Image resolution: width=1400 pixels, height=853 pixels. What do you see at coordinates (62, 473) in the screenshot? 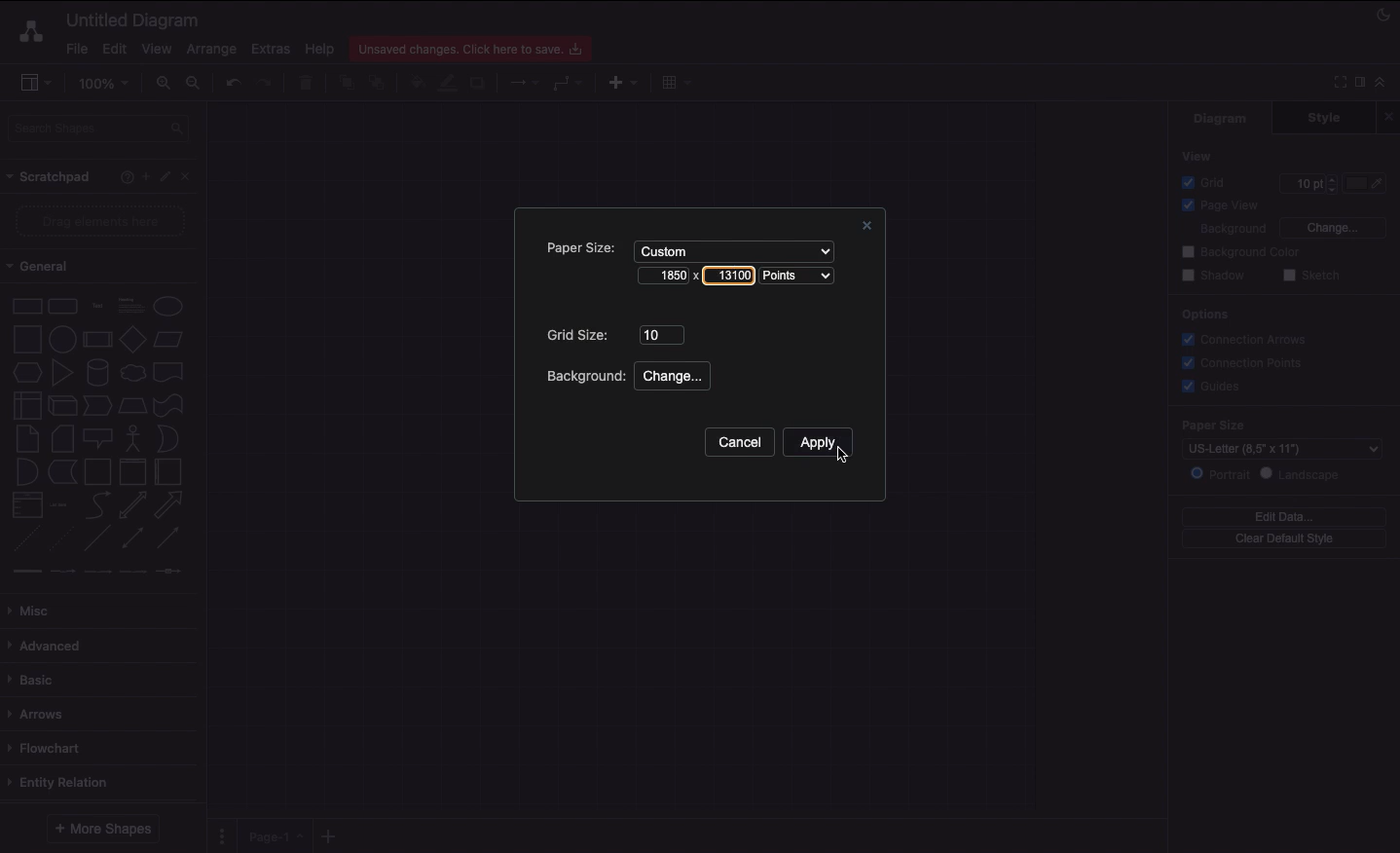
I see `Data storage` at bounding box center [62, 473].